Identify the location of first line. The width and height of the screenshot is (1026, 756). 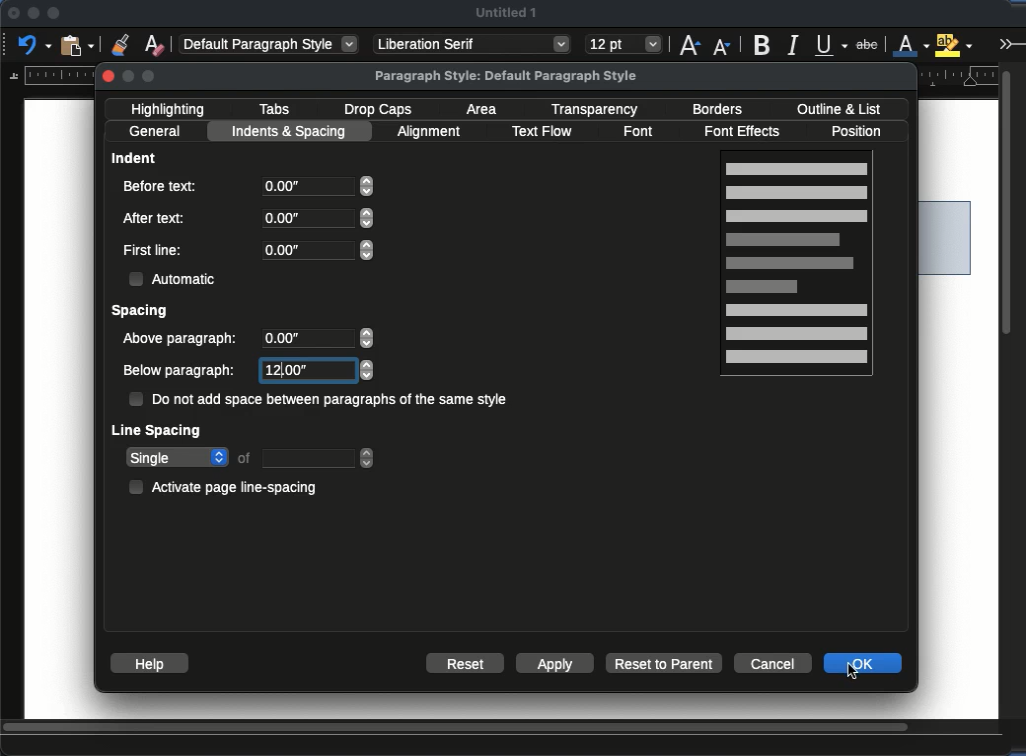
(153, 250).